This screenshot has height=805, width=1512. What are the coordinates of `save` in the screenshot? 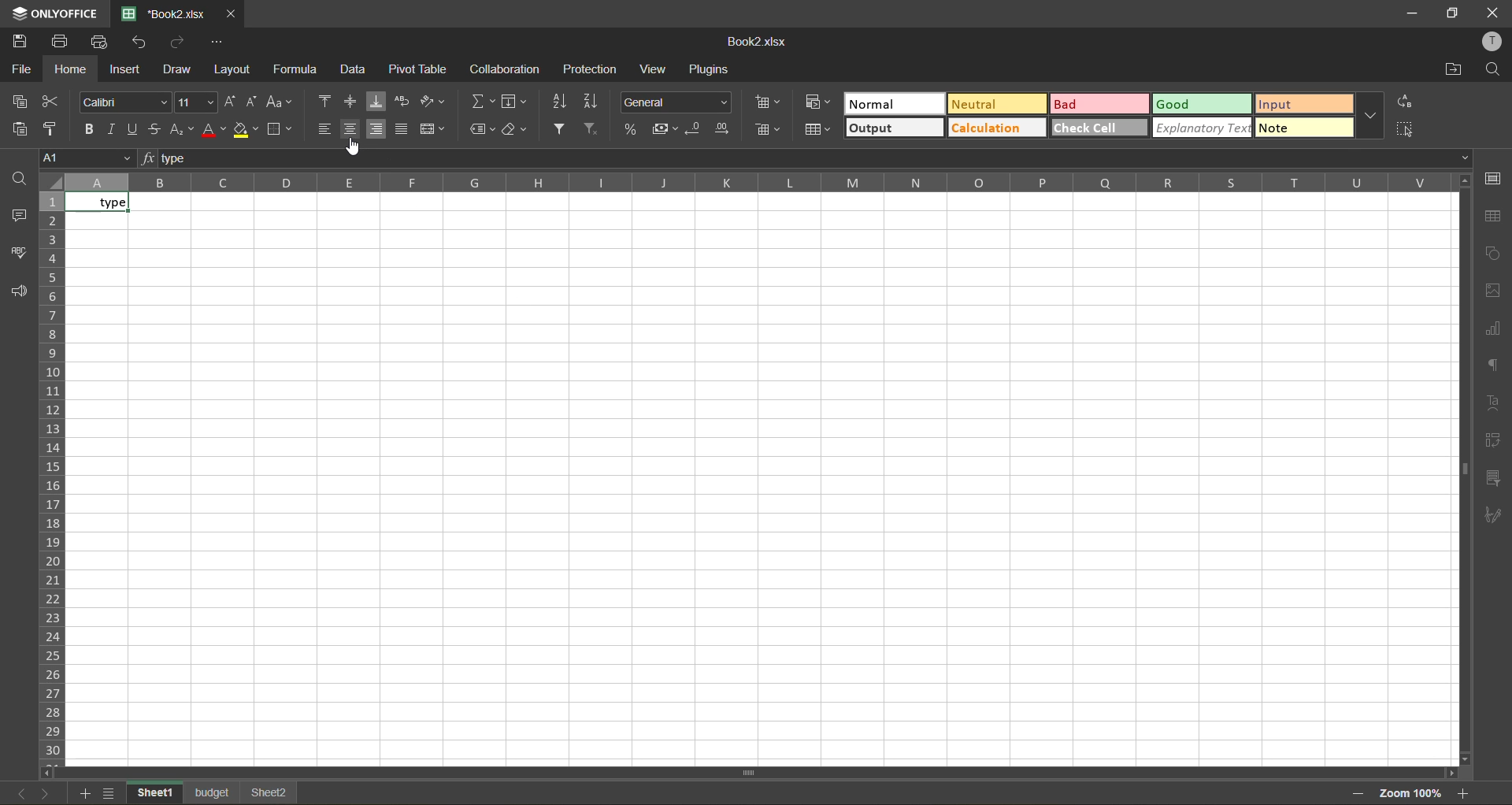 It's located at (20, 40).